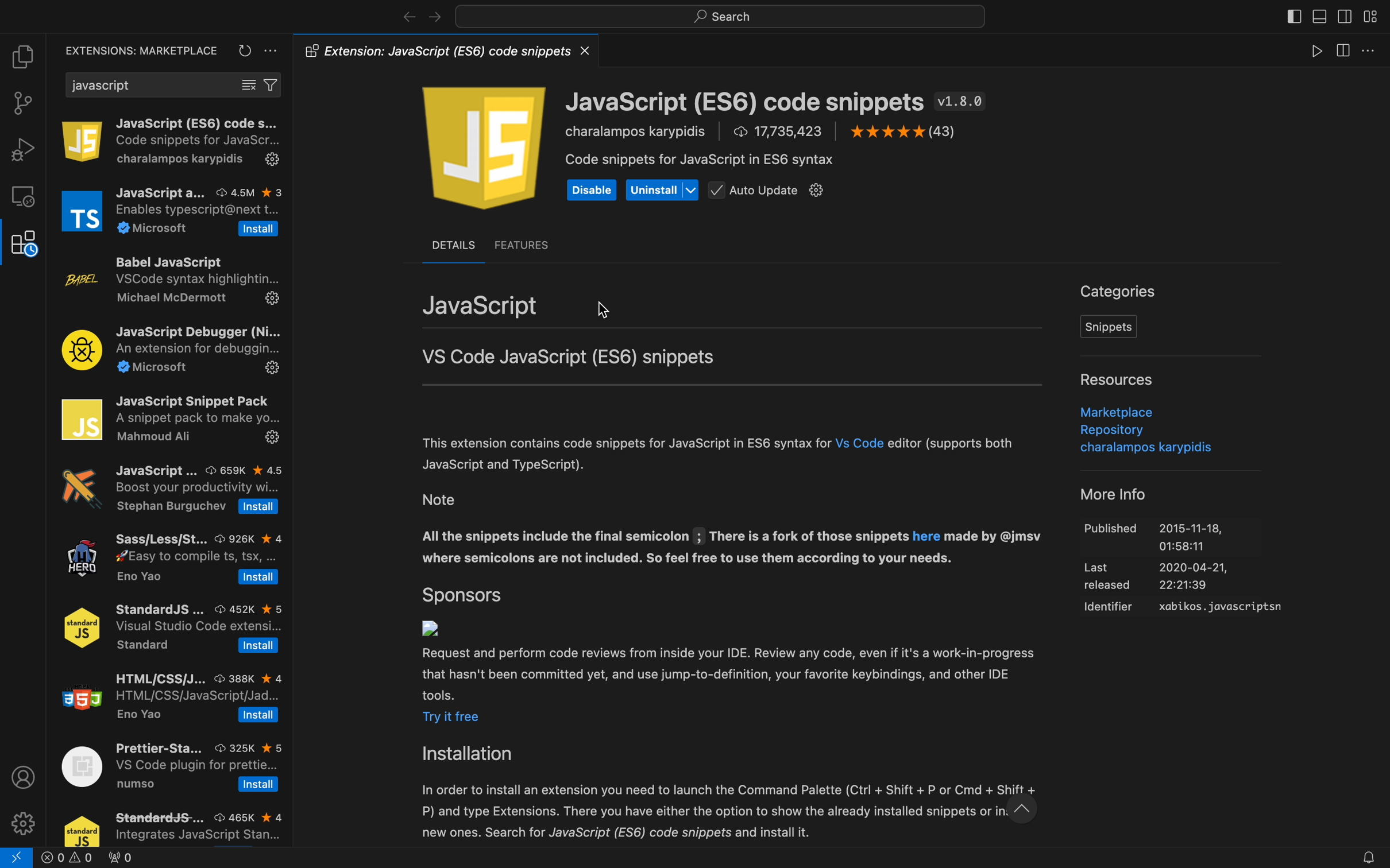  What do you see at coordinates (23, 149) in the screenshot?
I see `debugger` at bounding box center [23, 149].